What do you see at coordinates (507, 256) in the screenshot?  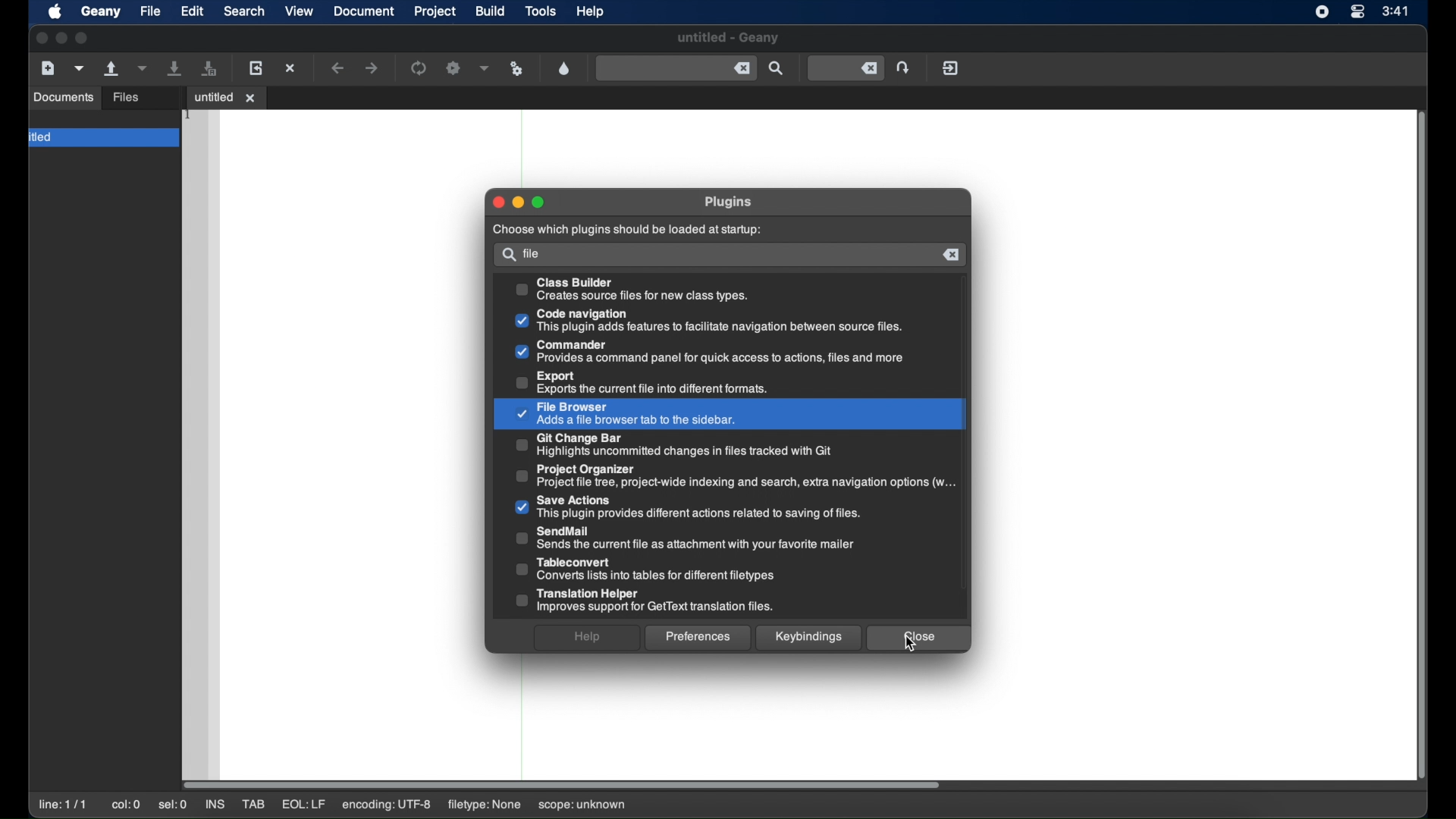 I see `` at bounding box center [507, 256].